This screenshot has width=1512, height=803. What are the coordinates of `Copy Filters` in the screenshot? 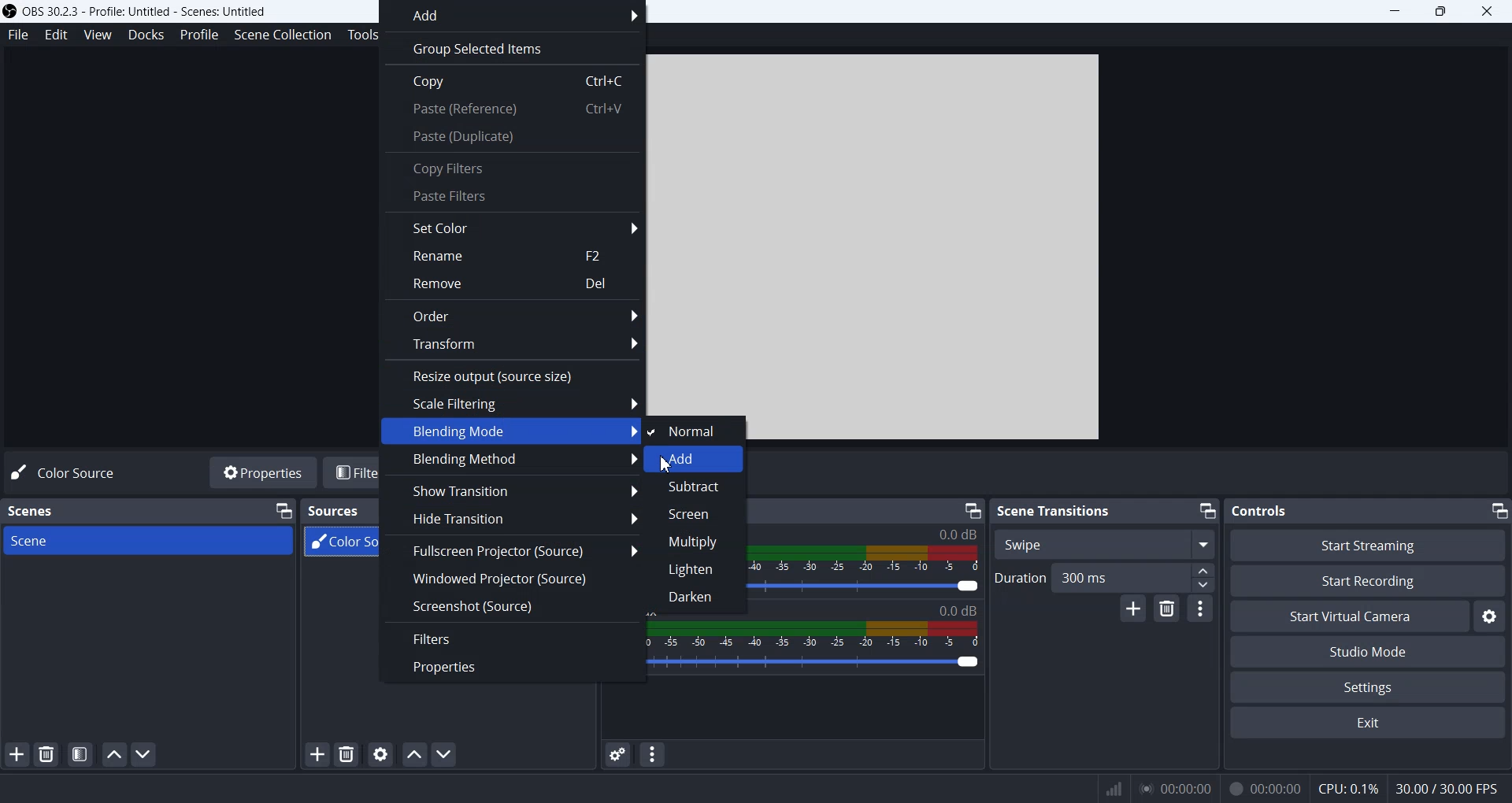 It's located at (511, 166).